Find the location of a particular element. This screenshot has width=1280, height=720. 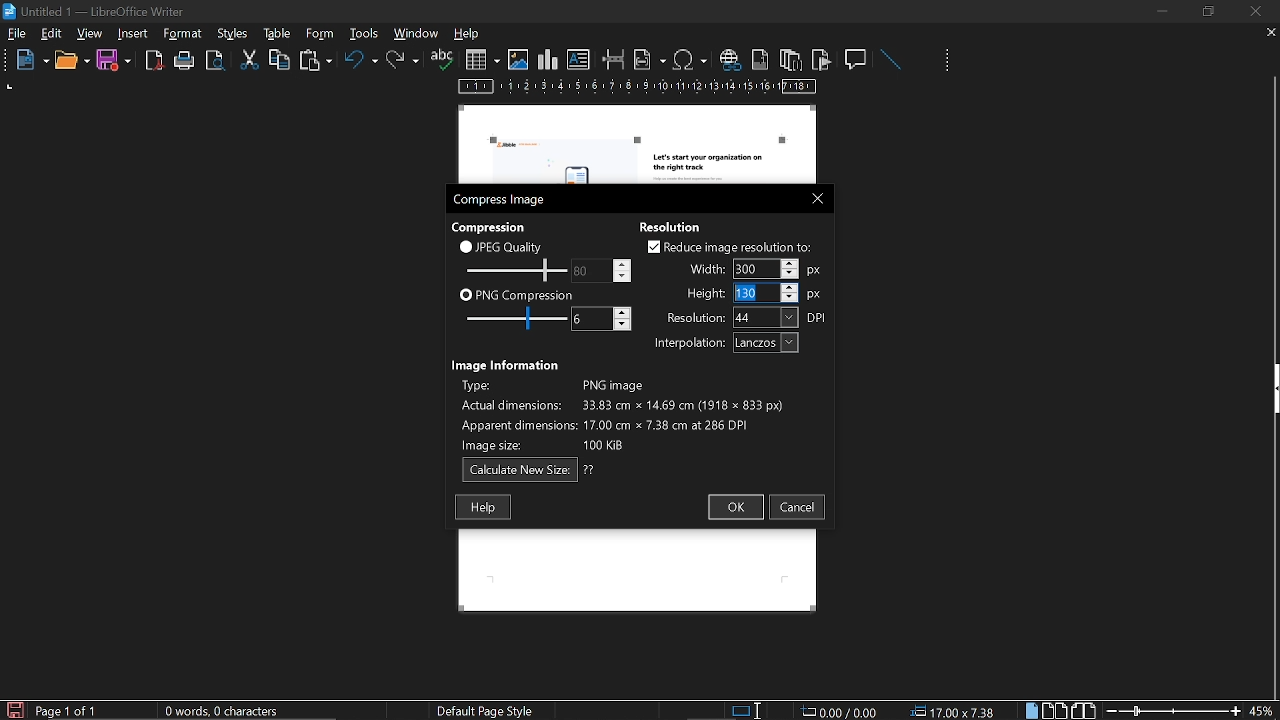

resolution is located at coordinates (747, 317).